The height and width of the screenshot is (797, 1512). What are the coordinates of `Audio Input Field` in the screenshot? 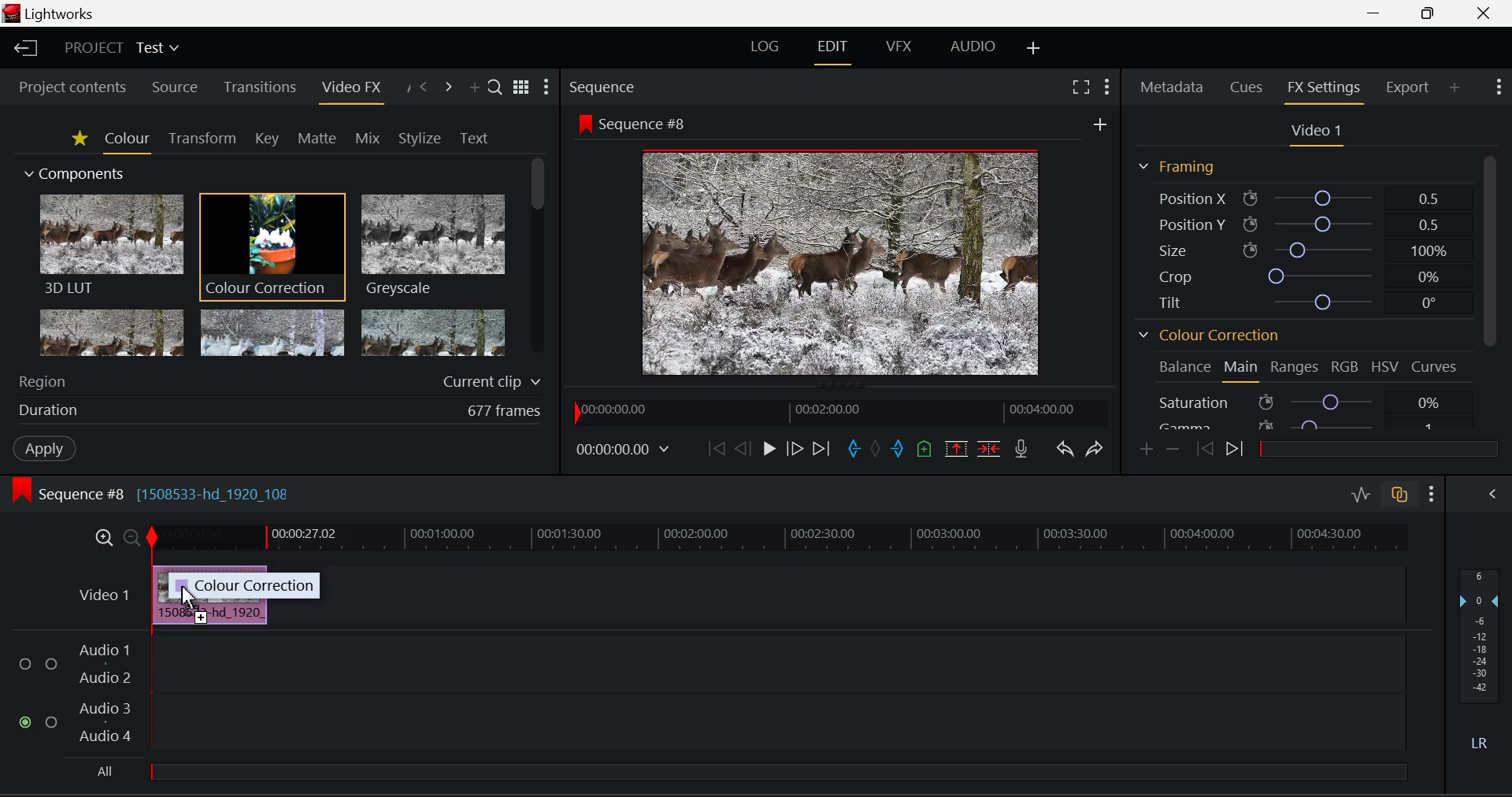 It's located at (776, 724).